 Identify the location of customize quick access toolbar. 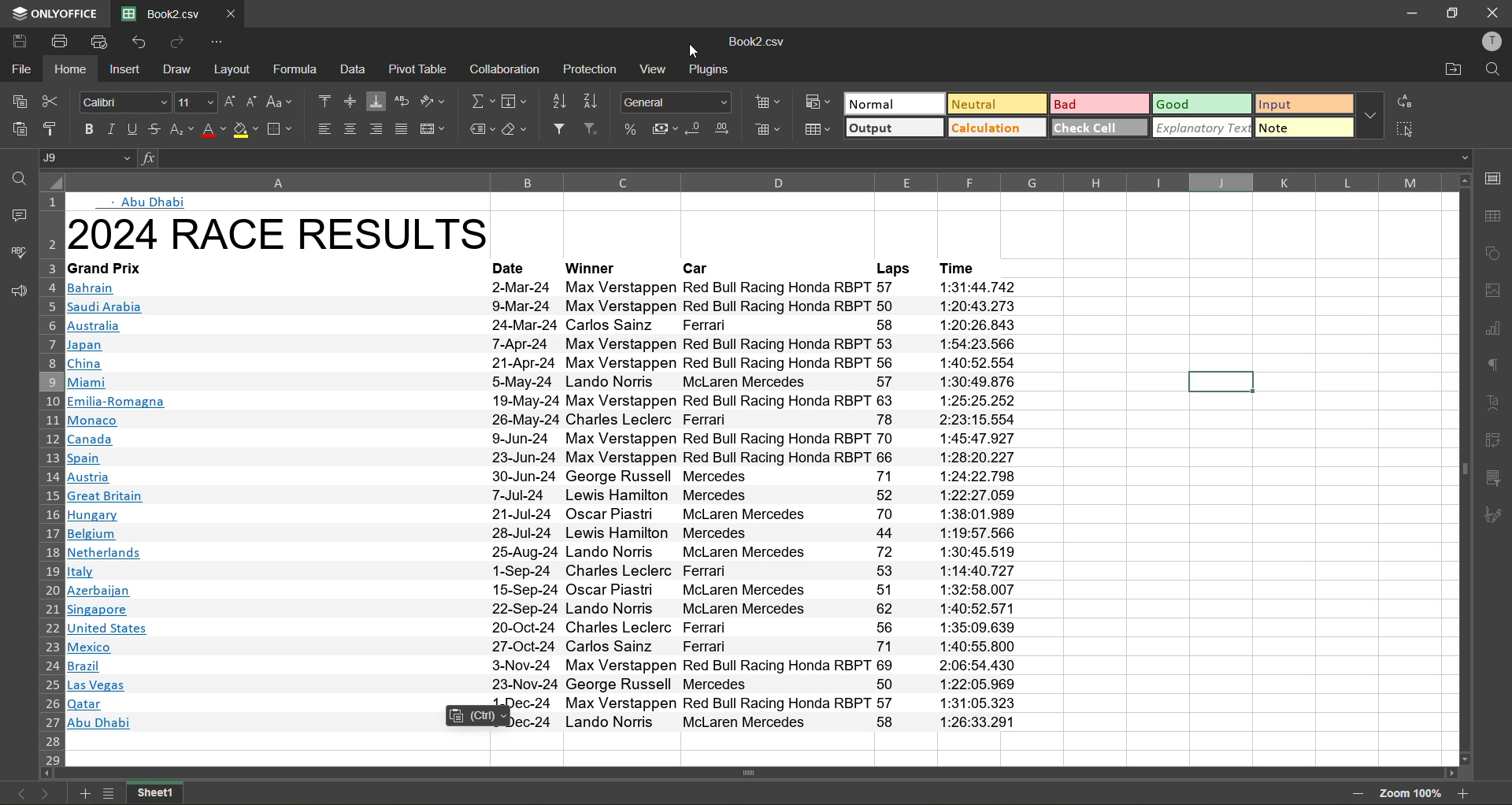
(218, 41).